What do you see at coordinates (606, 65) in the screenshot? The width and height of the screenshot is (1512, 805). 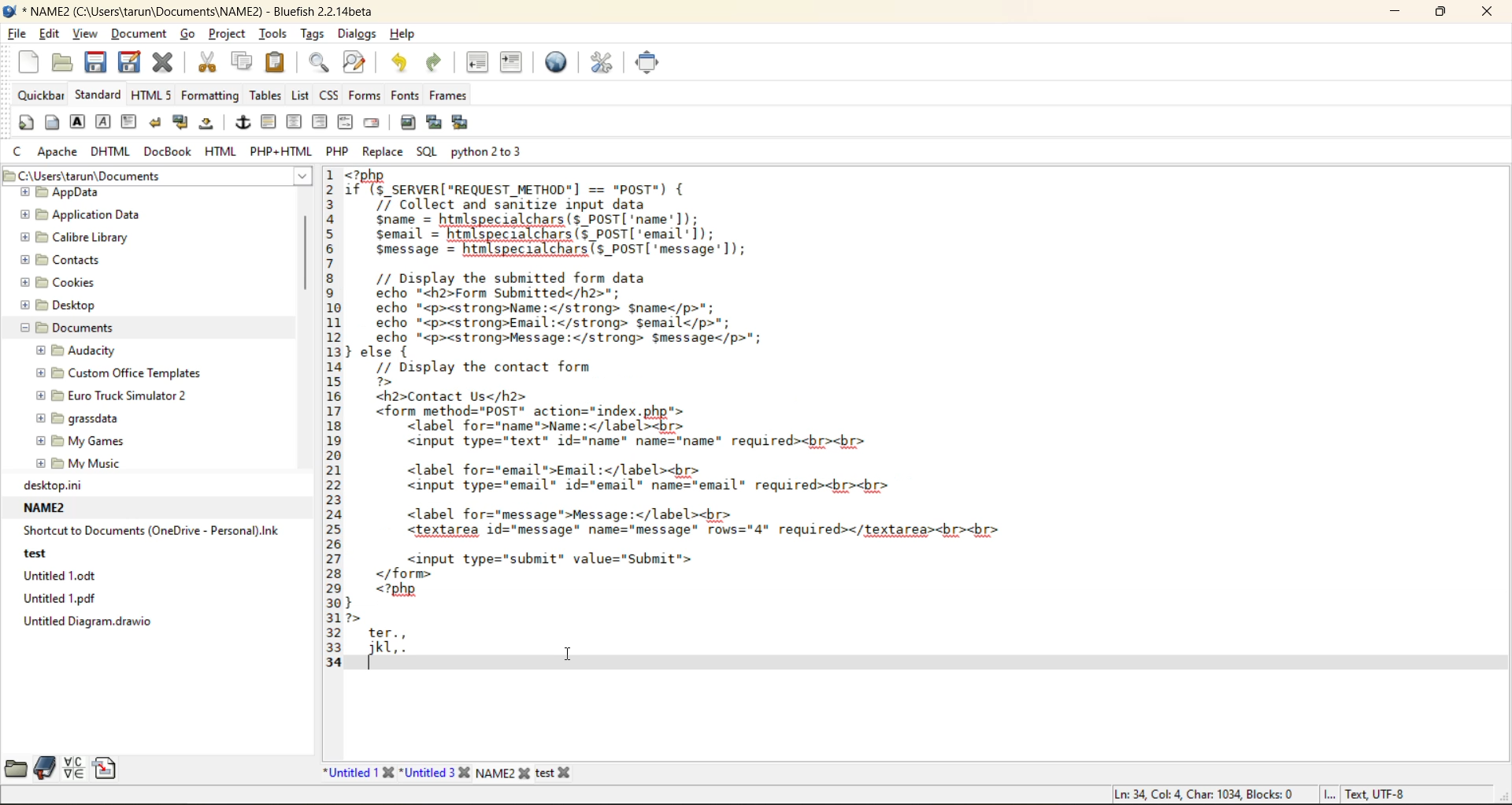 I see `edit preferences` at bounding box center [606, 65].